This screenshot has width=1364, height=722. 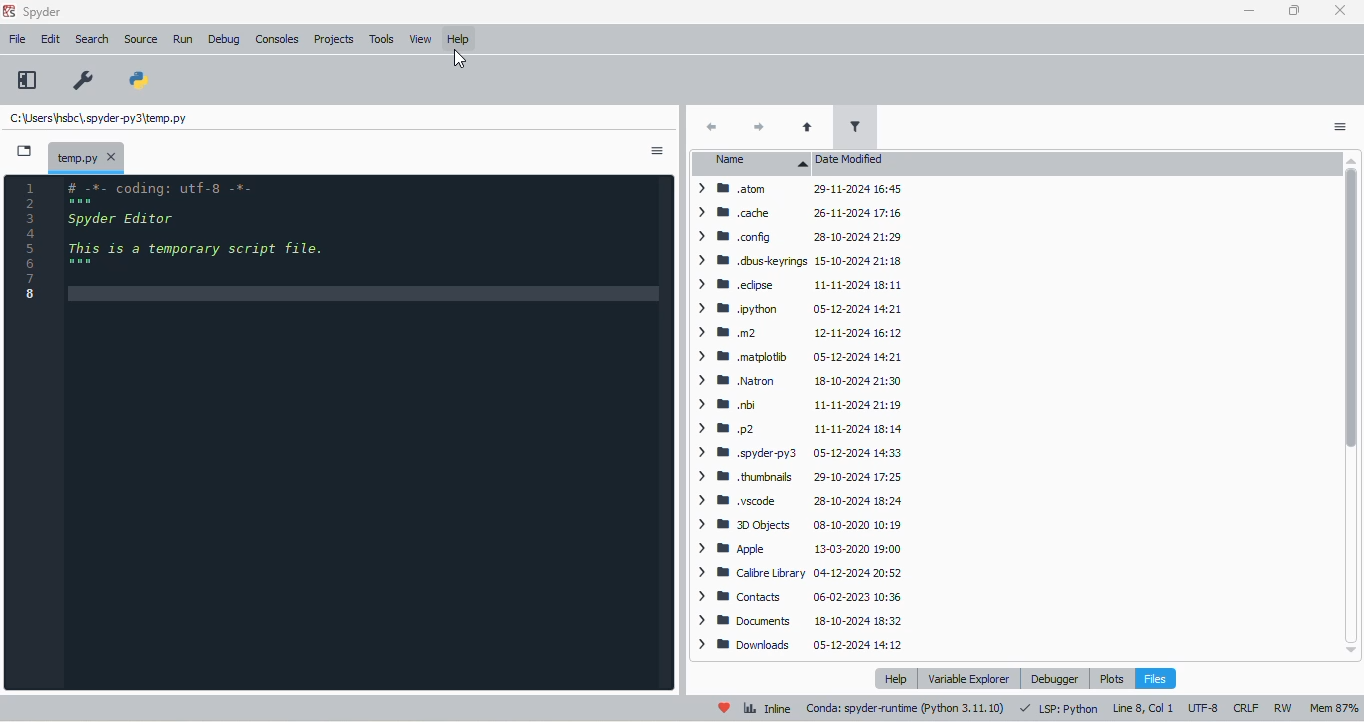 I want to click on > W atom 29-11-2024 16:45, so click(x=798, y=192).